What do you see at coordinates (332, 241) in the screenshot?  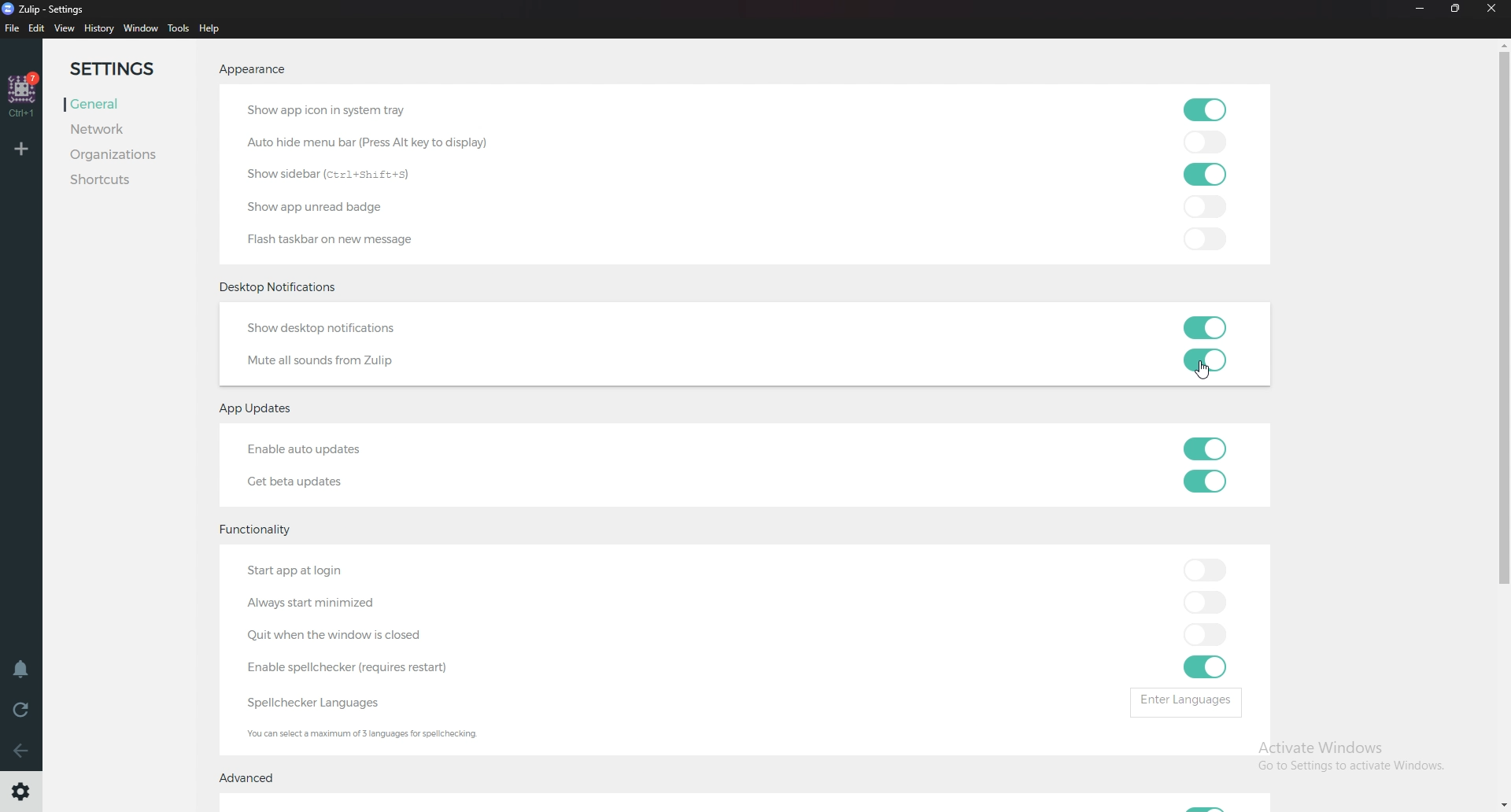 I see `Flash taskbar on new message` at bounding box center [332, 241].